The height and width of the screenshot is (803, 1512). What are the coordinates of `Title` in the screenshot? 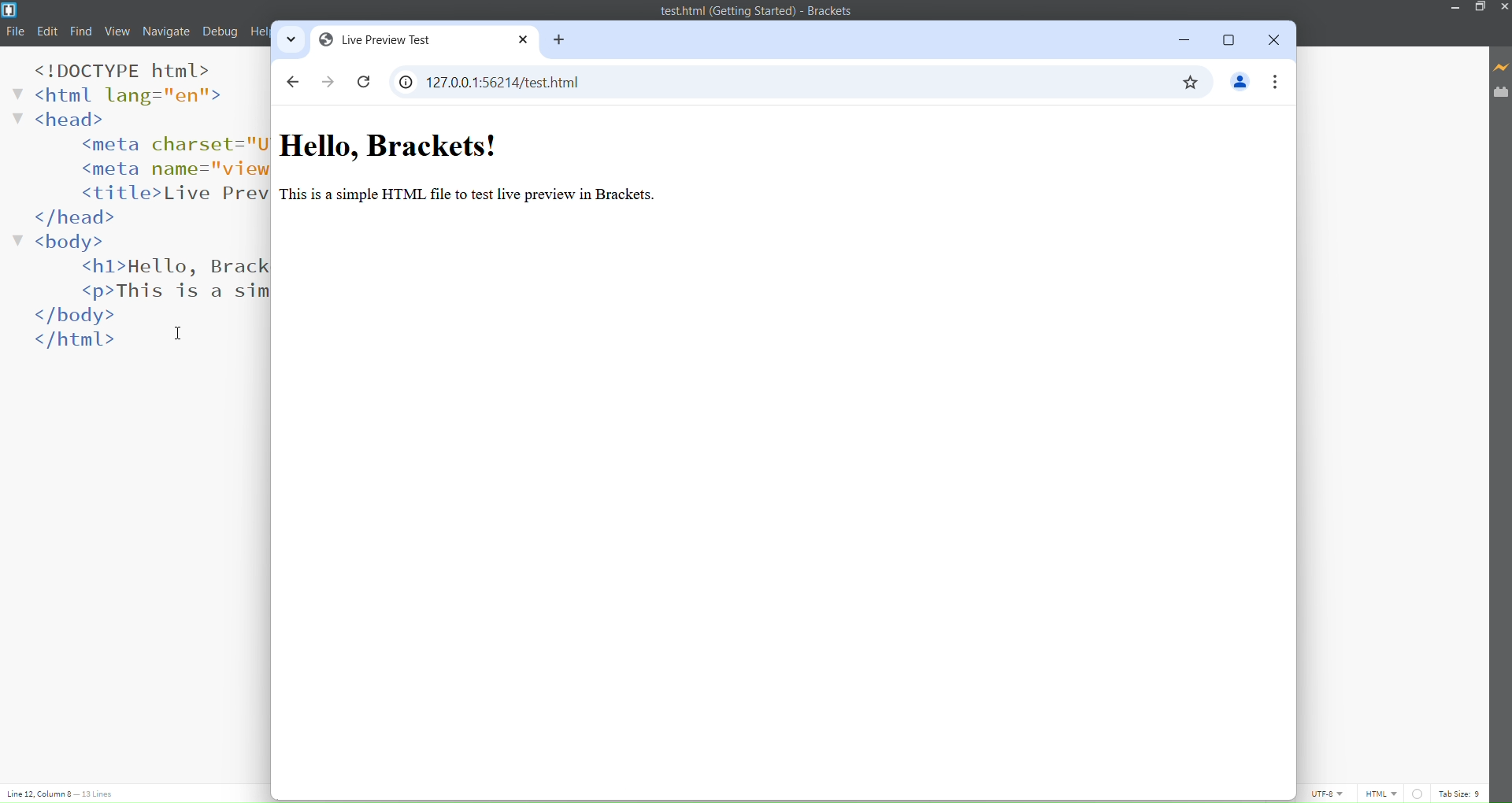 It's located at (764, 13).